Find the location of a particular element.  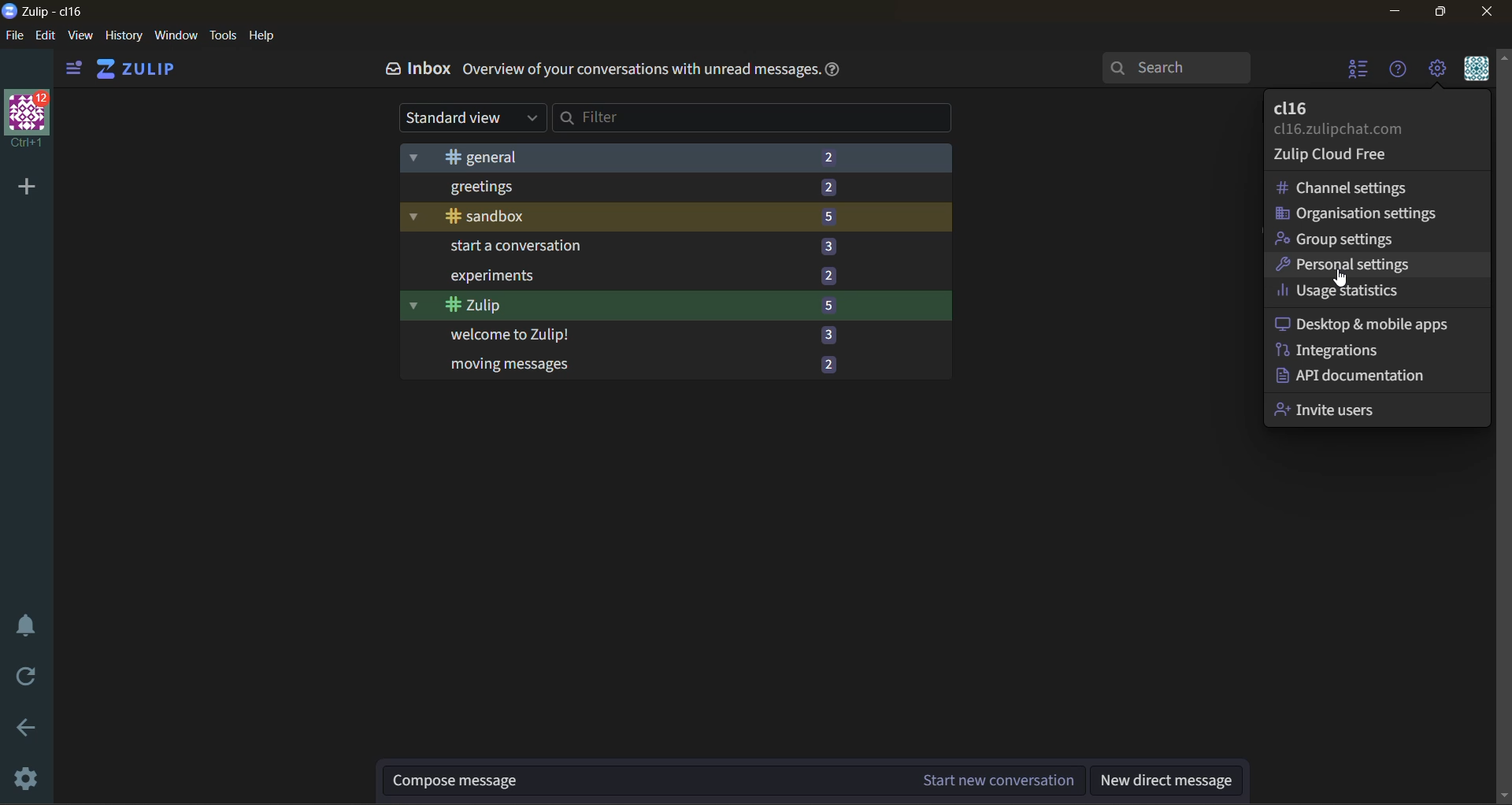

help is located at coordinates (267, 37).